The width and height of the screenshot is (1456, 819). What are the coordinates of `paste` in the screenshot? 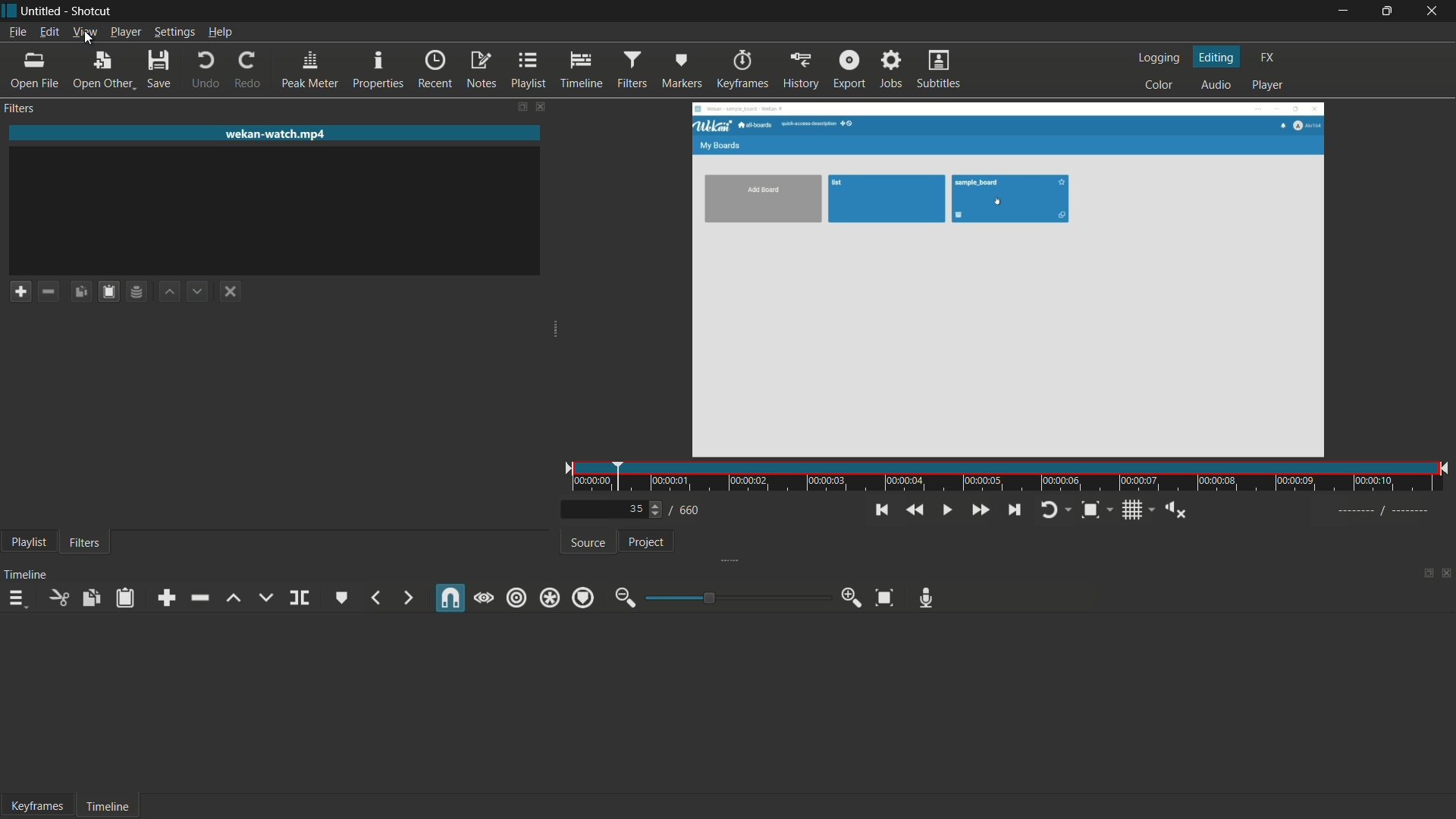 It's located at (125, 598).